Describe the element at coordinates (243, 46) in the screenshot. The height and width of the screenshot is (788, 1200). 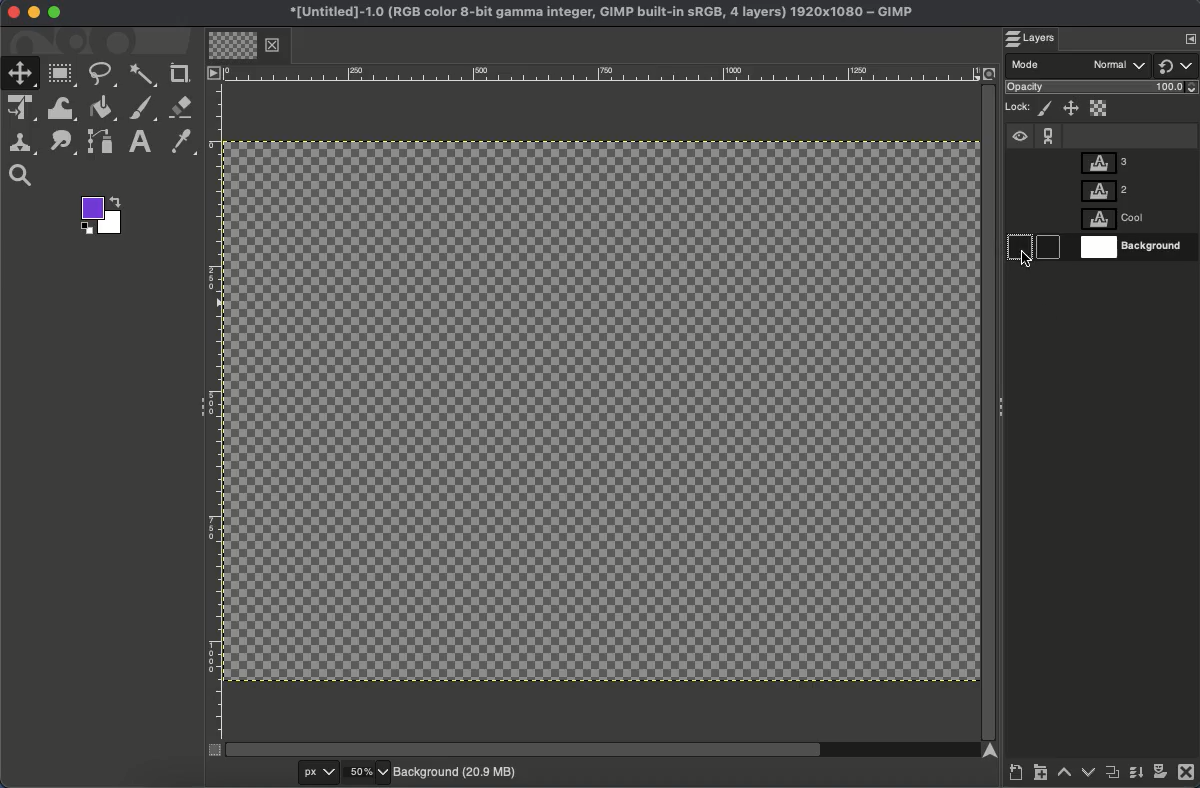
I see `Tab` at that location.